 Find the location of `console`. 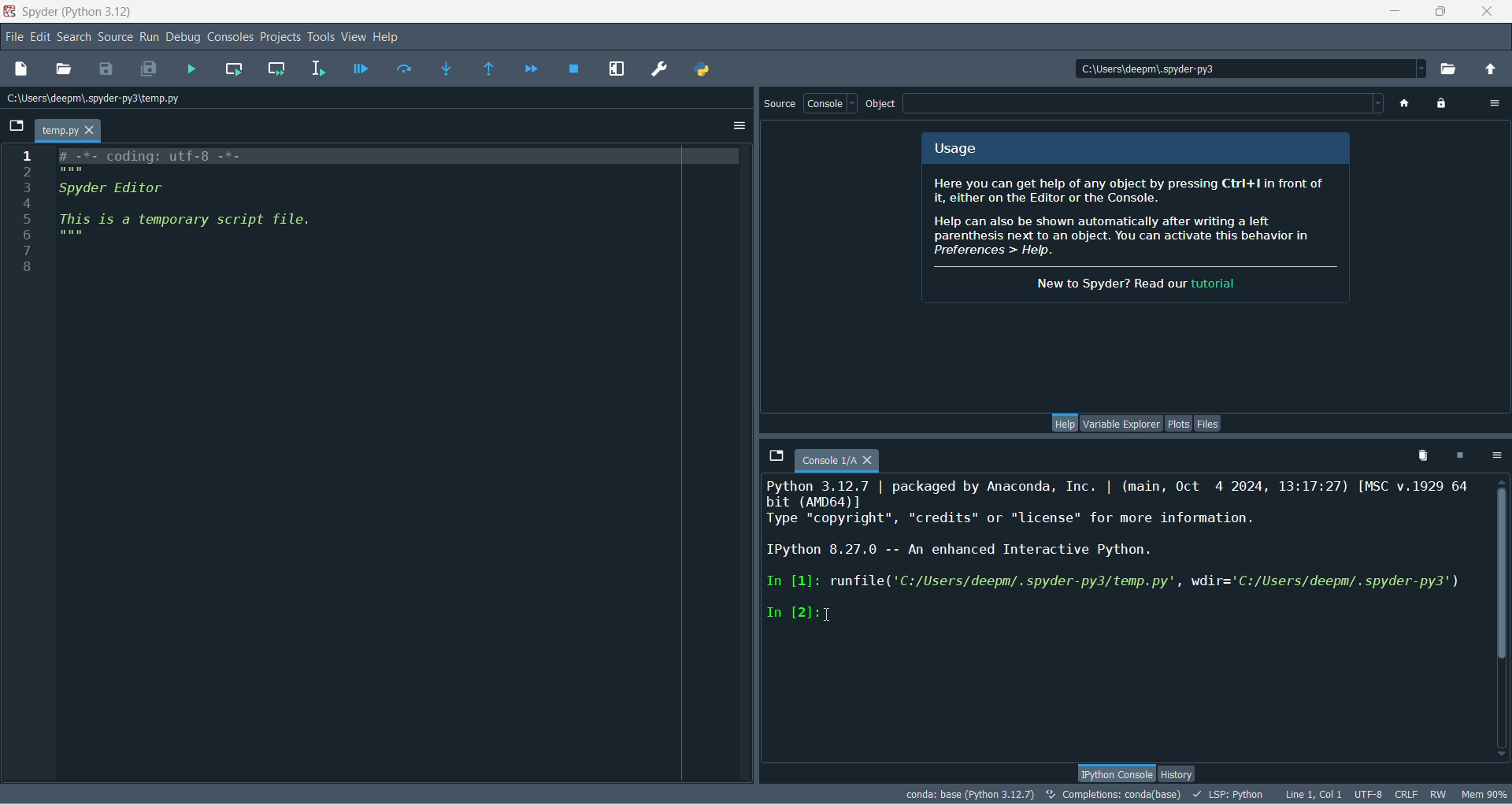

console is located at coordinates (844, 460).